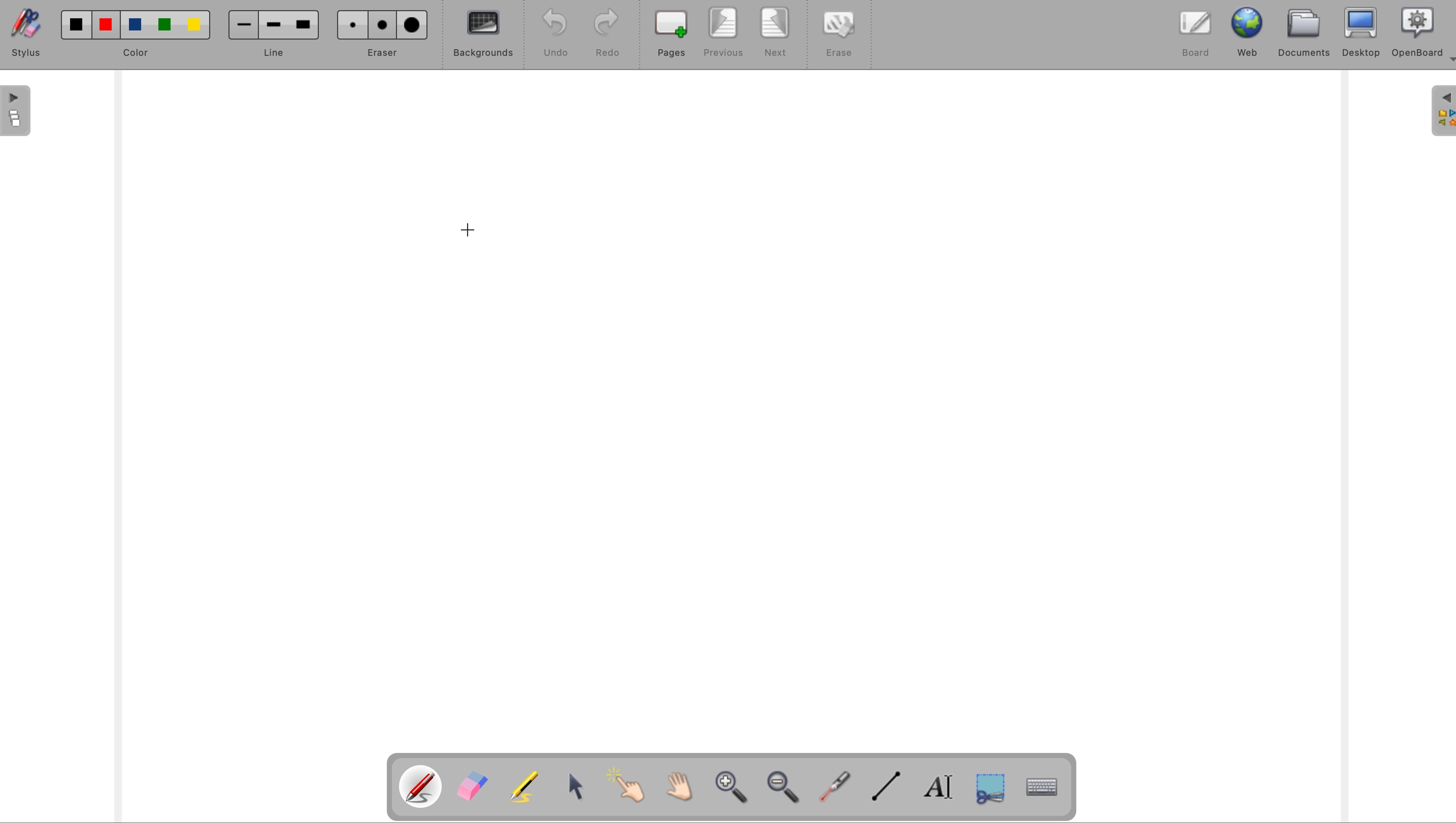 The width and height of the screenshot is (1456, 823). I want to click on sidebar, so click(1441, 111).